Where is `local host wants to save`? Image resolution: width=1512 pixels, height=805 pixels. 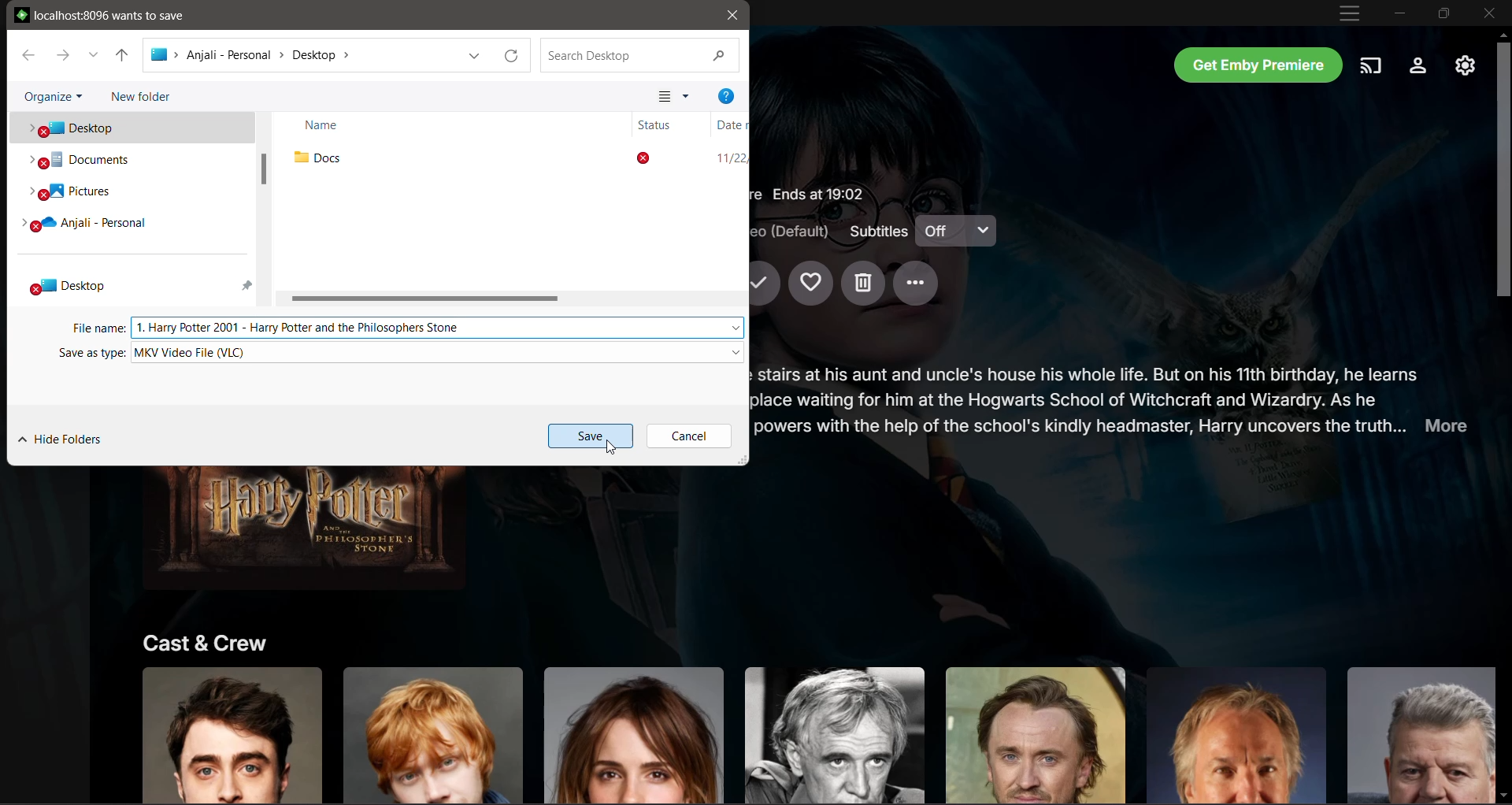 local host wants to save is located at coordinates (111, 15).